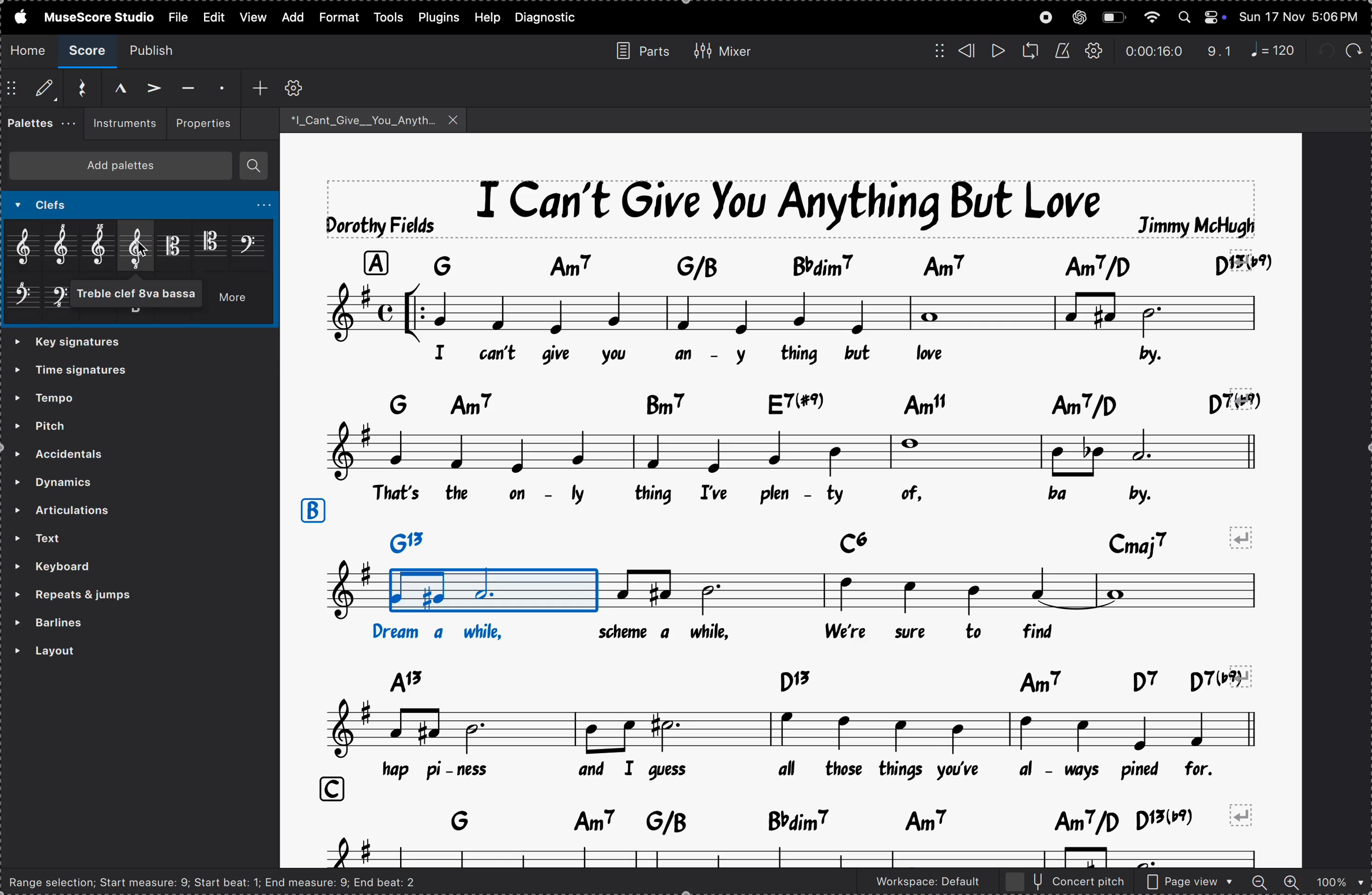  I want to click on notes, so click(789, 729).